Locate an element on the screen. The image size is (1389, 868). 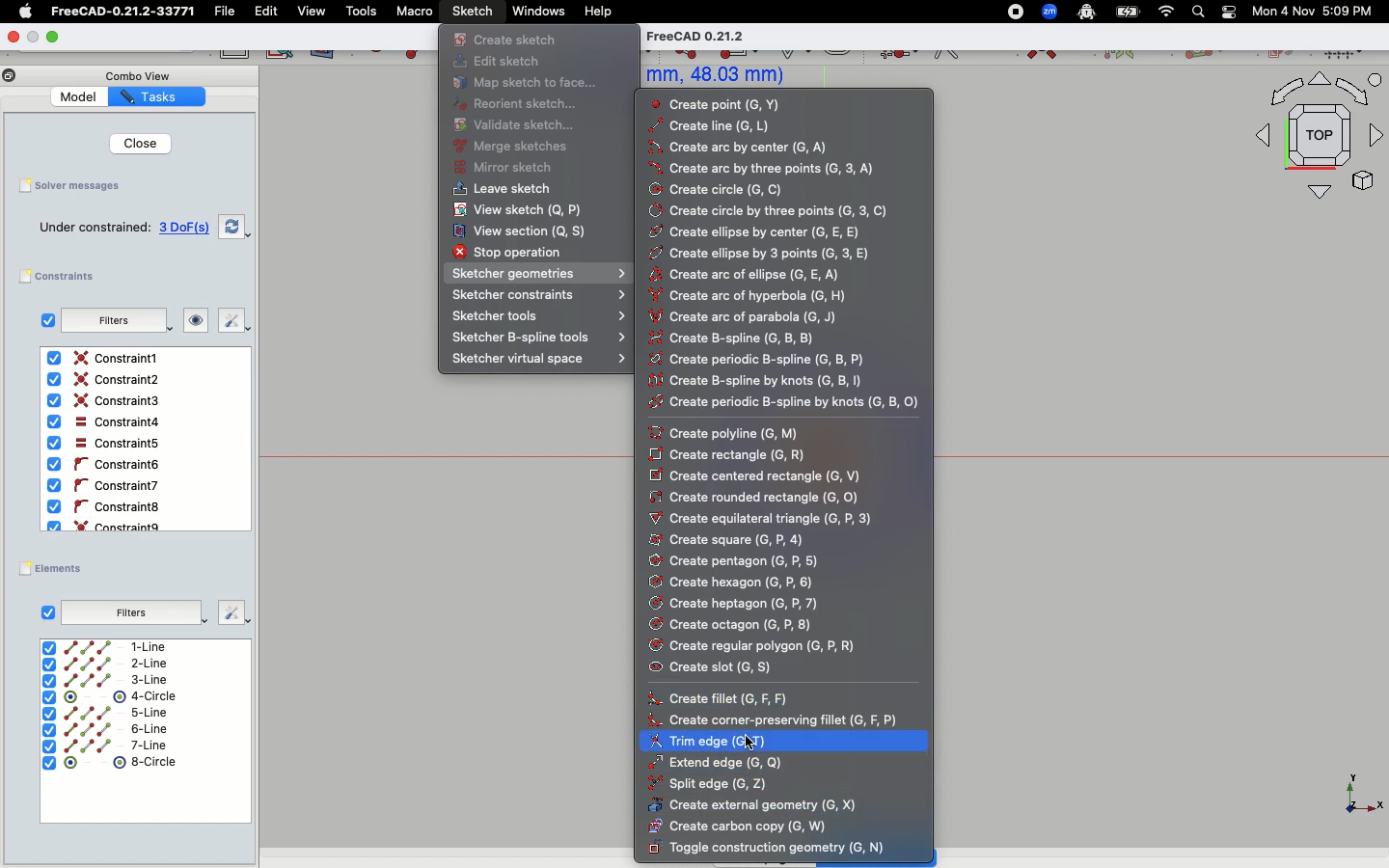
Create ellipse by 3 points is located at coordinates (763, 257).